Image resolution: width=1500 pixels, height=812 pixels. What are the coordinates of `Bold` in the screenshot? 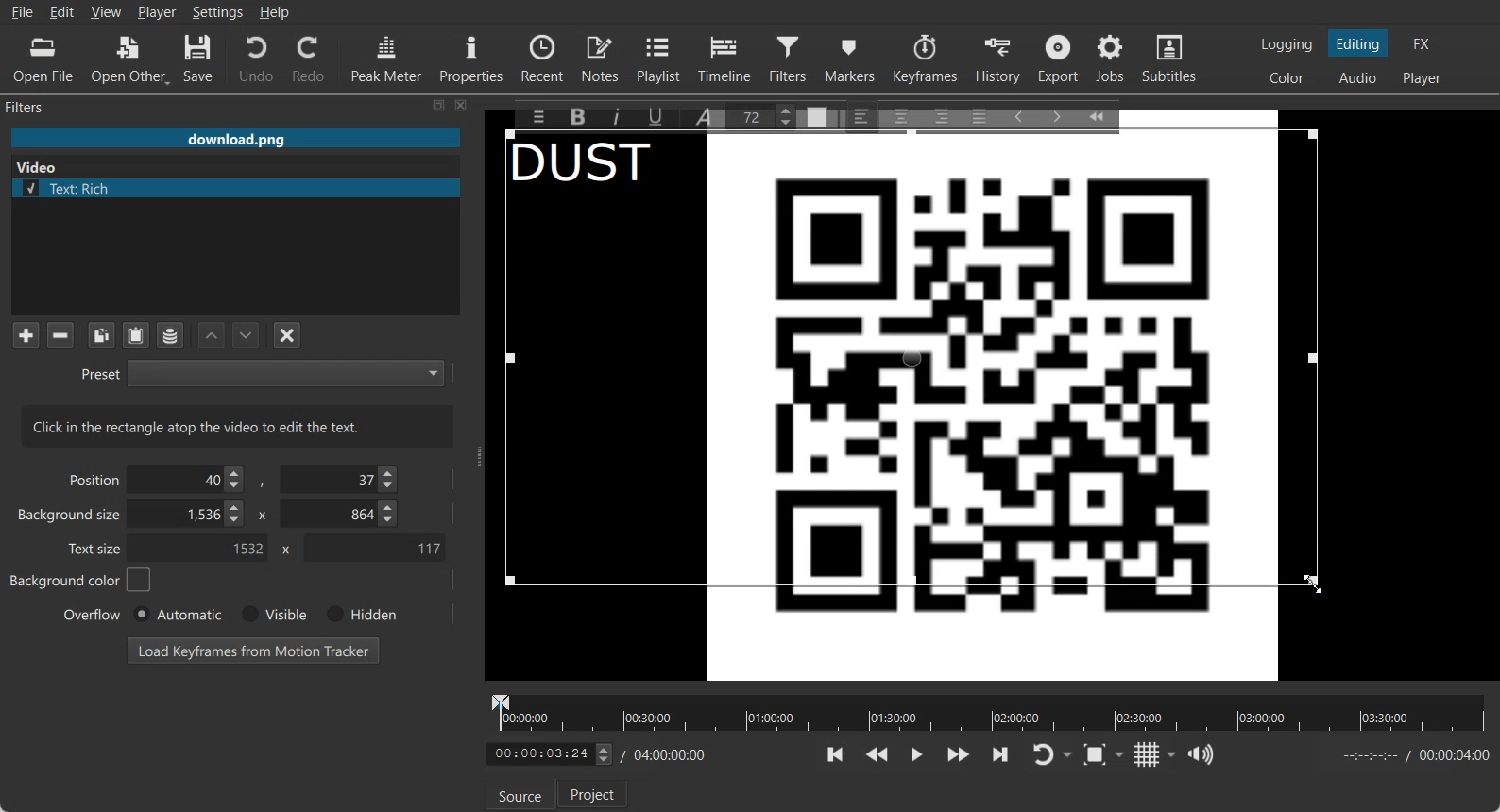 It's located at (576, 117).